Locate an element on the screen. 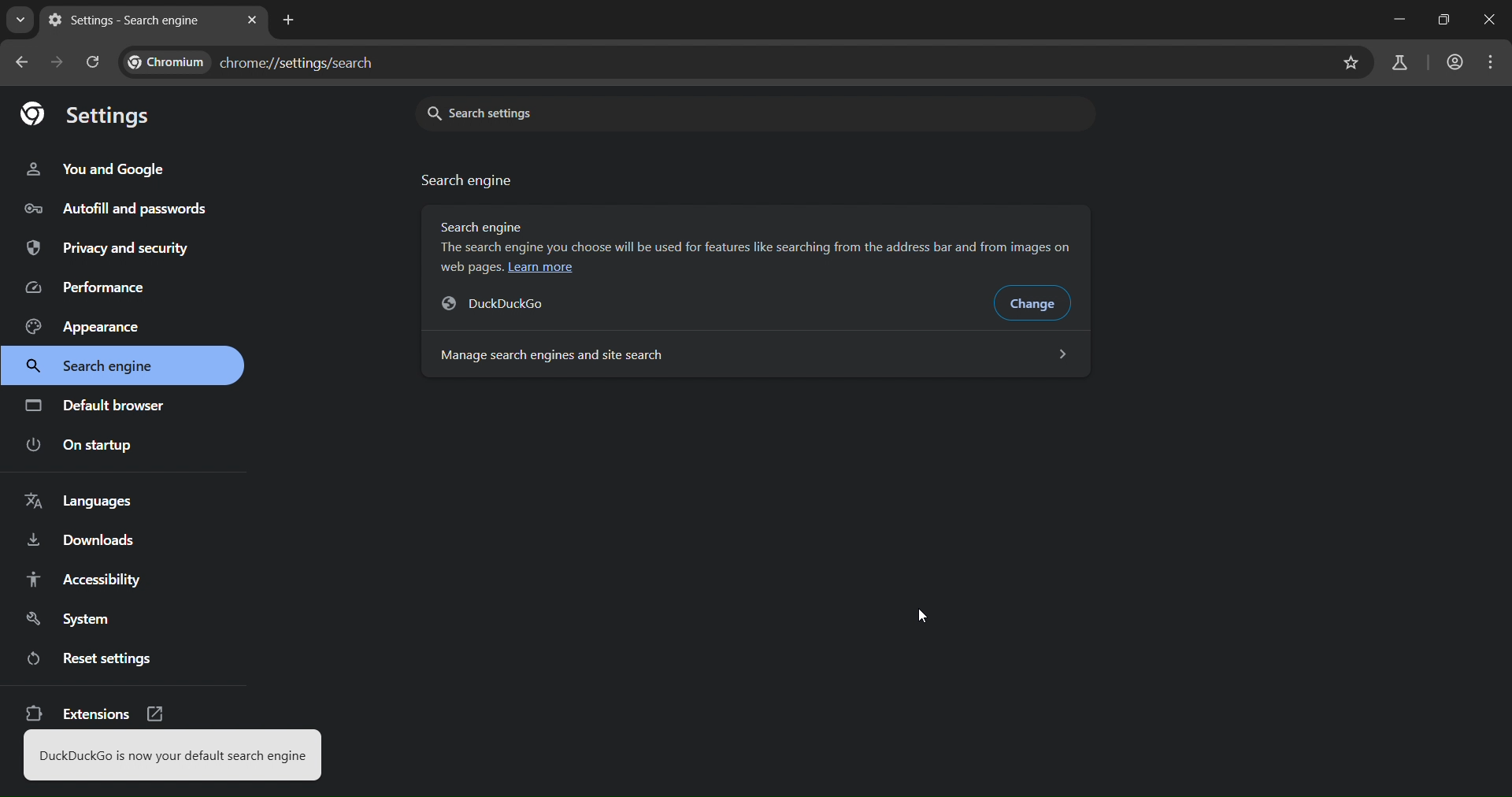  go back 1 page is located at coordinates (25, 64).